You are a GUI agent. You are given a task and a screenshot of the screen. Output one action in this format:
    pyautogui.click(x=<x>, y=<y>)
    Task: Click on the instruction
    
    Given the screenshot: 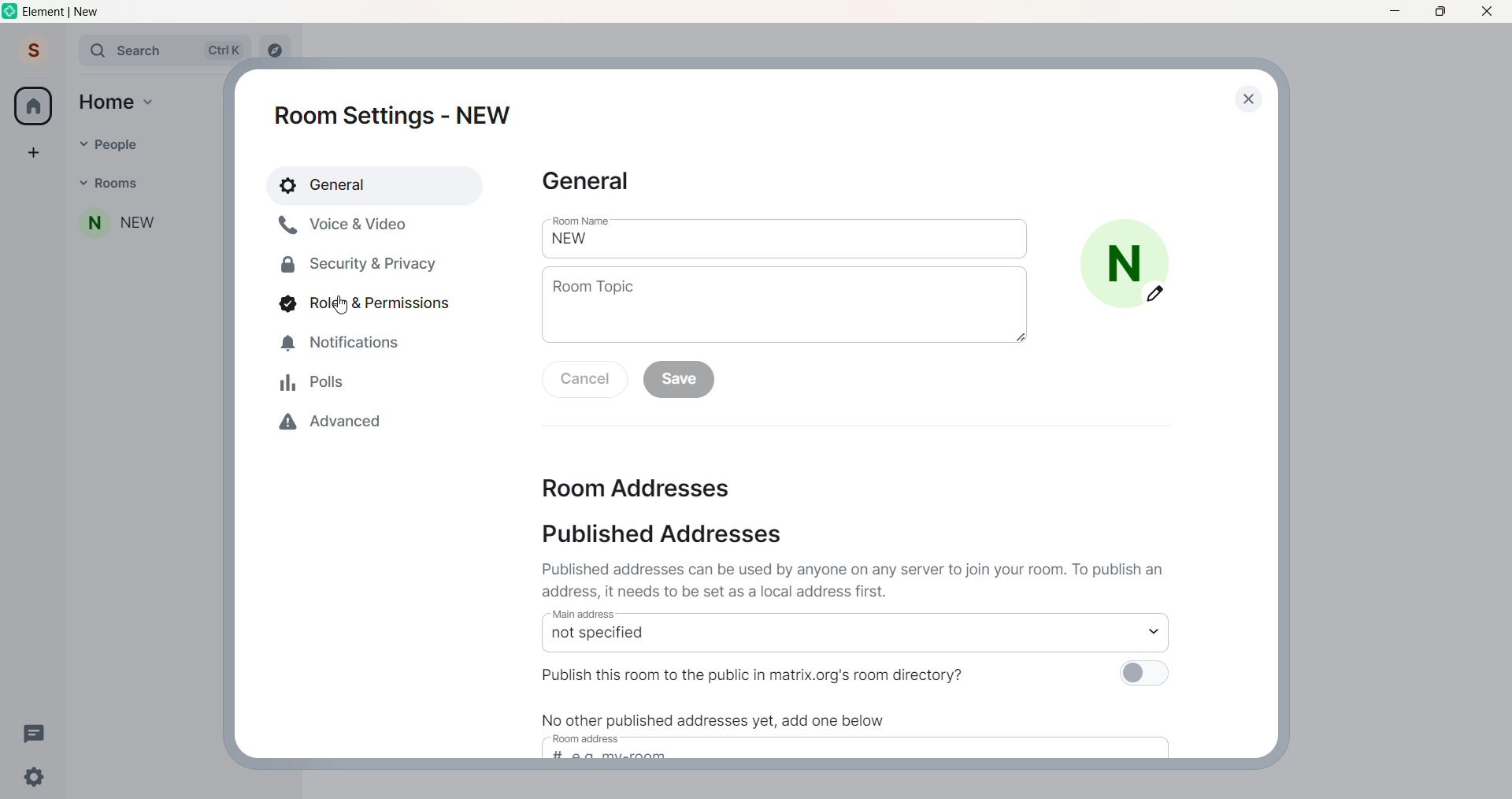 What is the action you would take?
    pyautogui.click(x=860, y=579)
    